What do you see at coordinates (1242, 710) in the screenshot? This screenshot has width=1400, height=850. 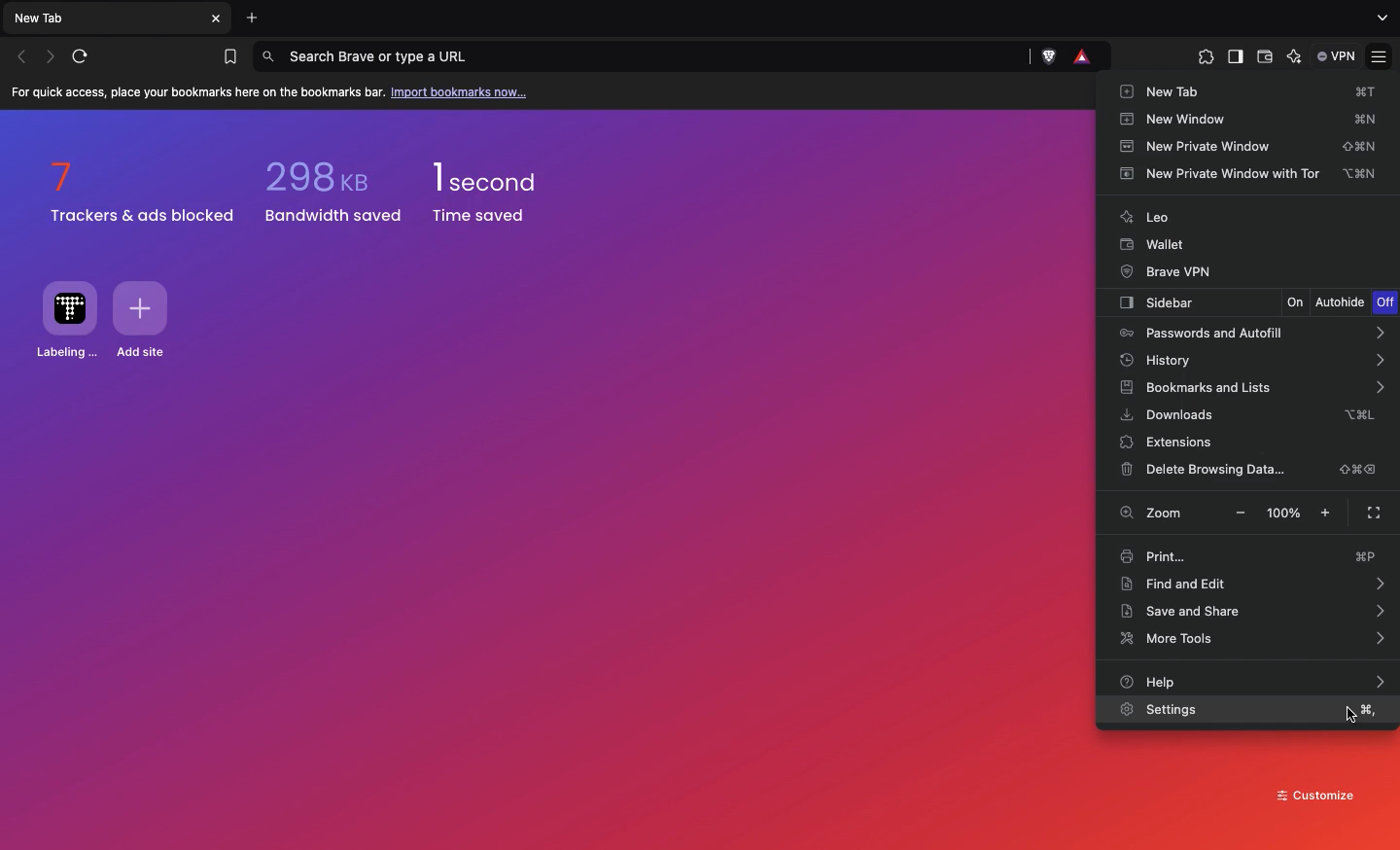 I see `Settings` at bounding box center [1242, 710].